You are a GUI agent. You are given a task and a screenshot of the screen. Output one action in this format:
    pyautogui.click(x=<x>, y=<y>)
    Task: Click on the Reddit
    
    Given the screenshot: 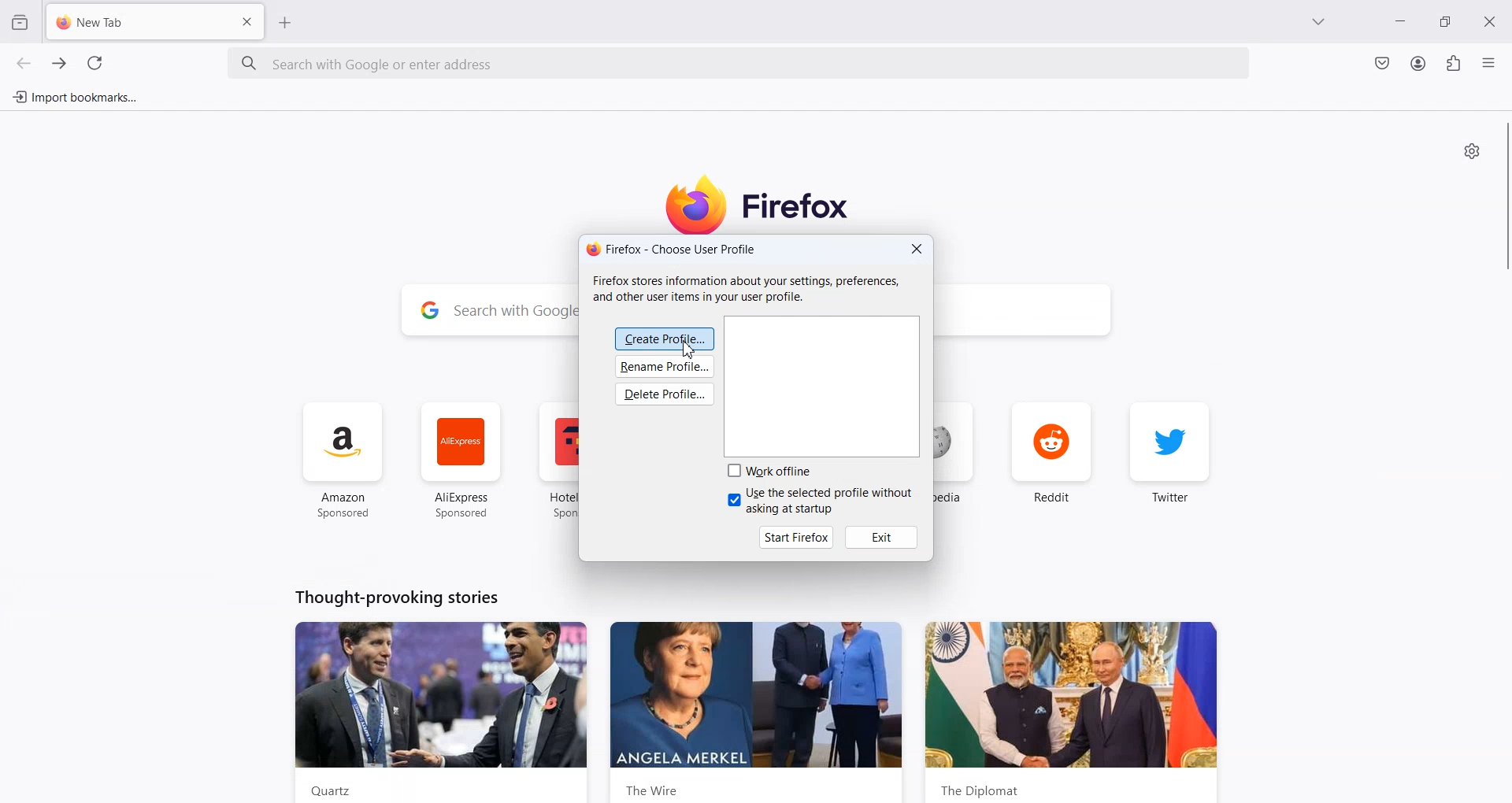 What is the action you would take?
    pyautogui.click(x=1051, y=457)
    